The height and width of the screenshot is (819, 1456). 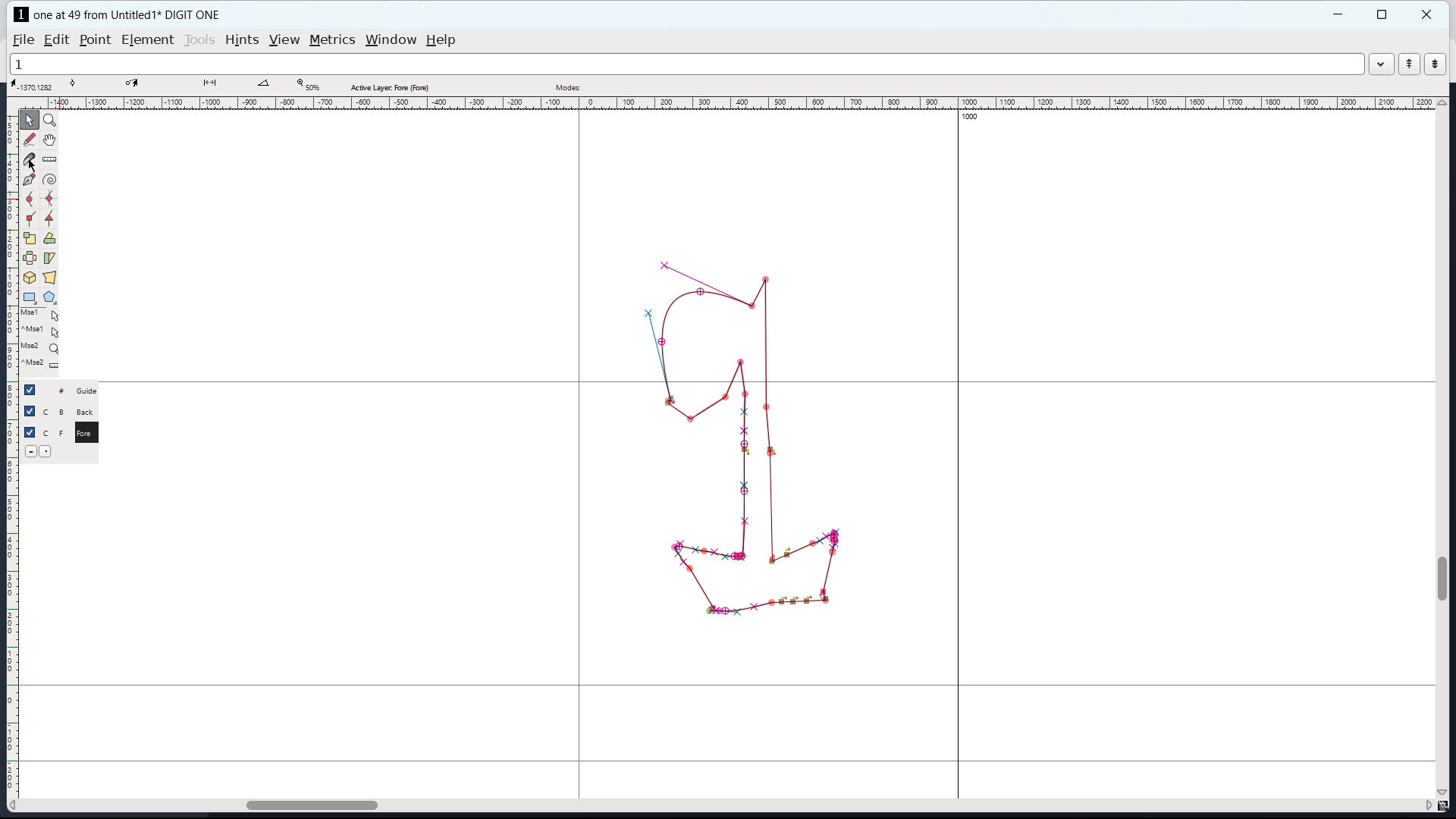 What do you see at coordinates (1428, 14) in the screenshot?
I see `close` at bounding box center [1428, 14].